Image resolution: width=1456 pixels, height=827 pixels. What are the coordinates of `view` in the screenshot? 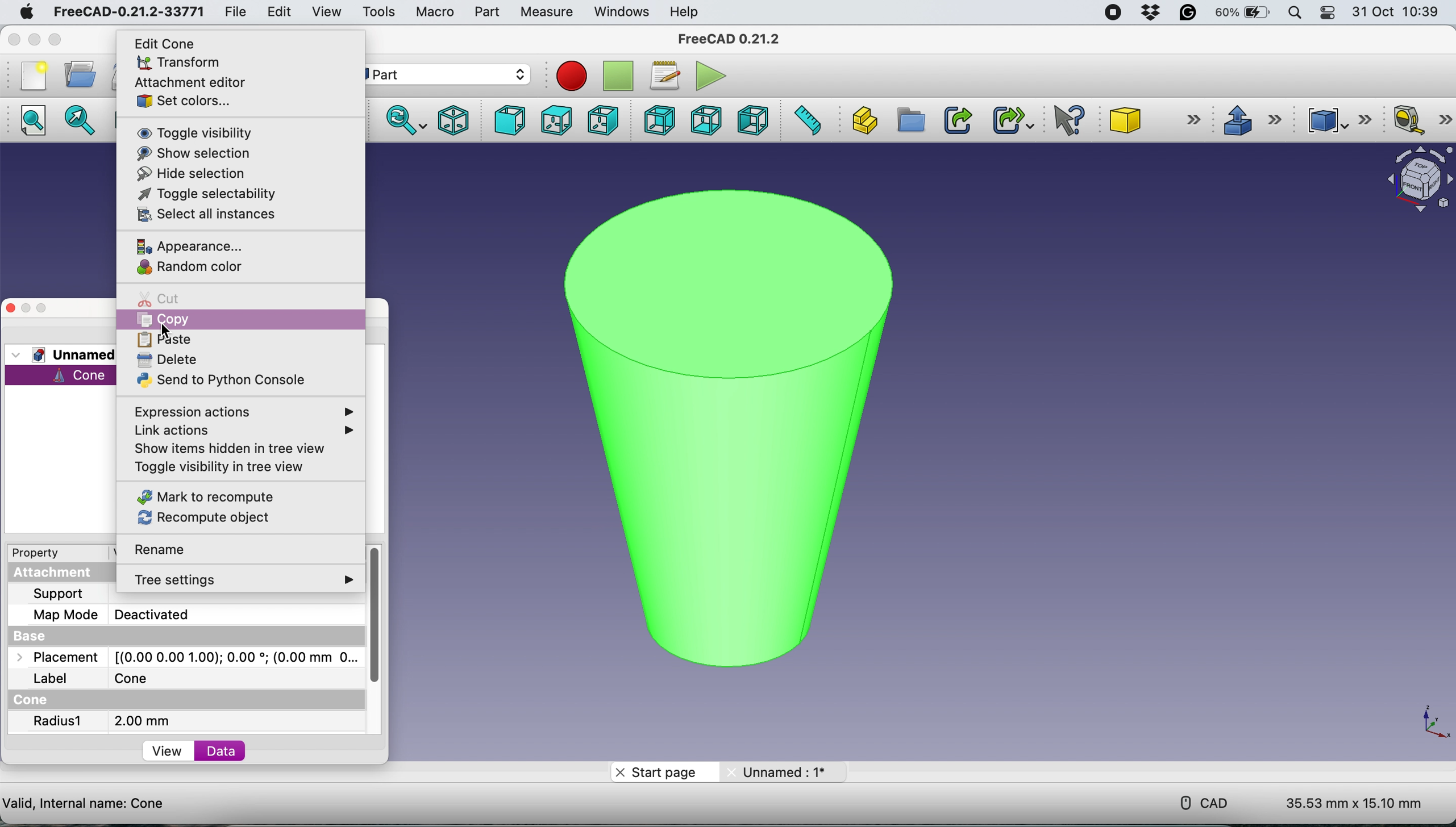 It's located at (326, 11).